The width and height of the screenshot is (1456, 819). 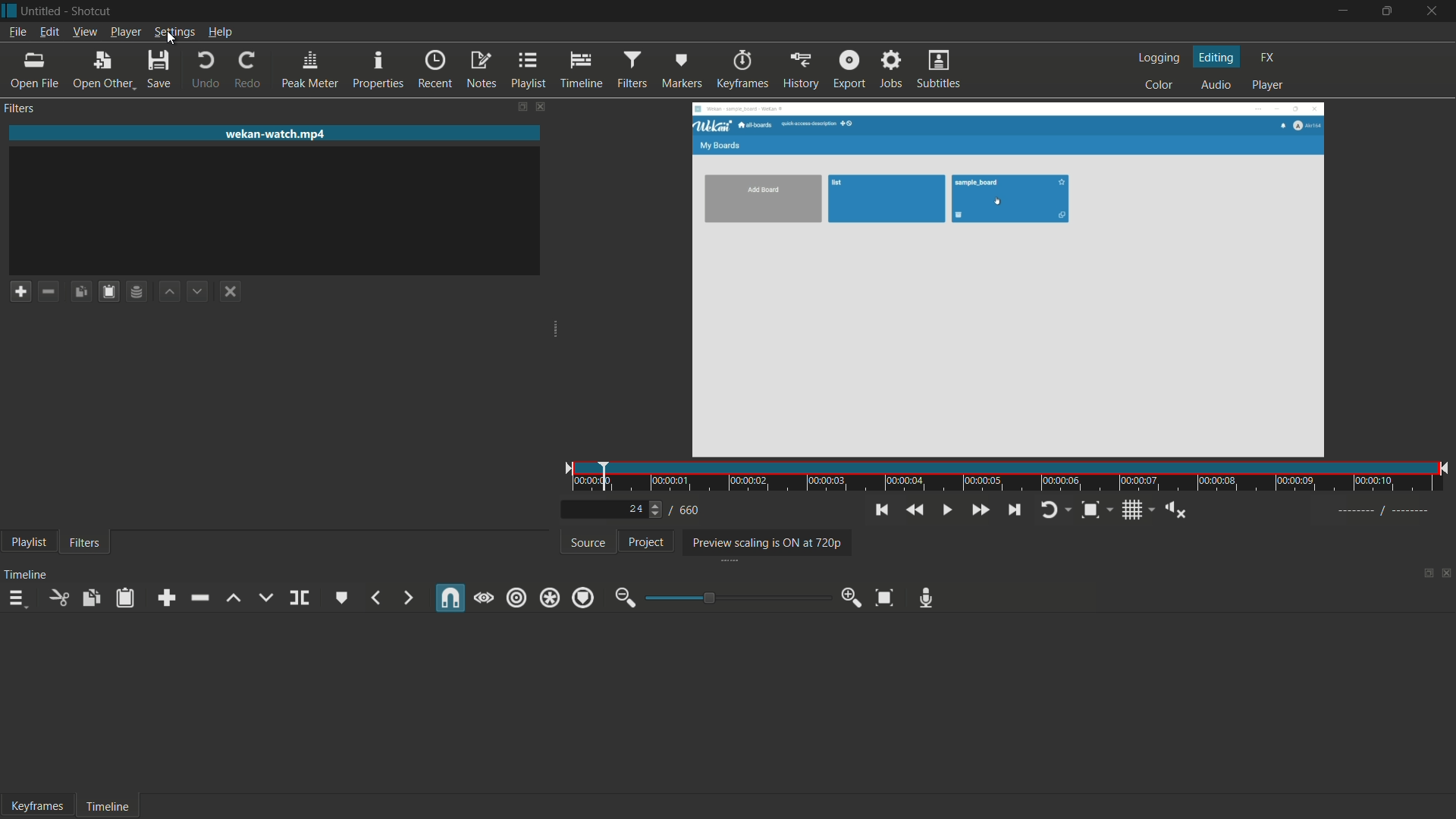 What do you see at coordinates (340, 597) in the screenshot?
I see `create or edit marker` at bounding box center [340, 597].